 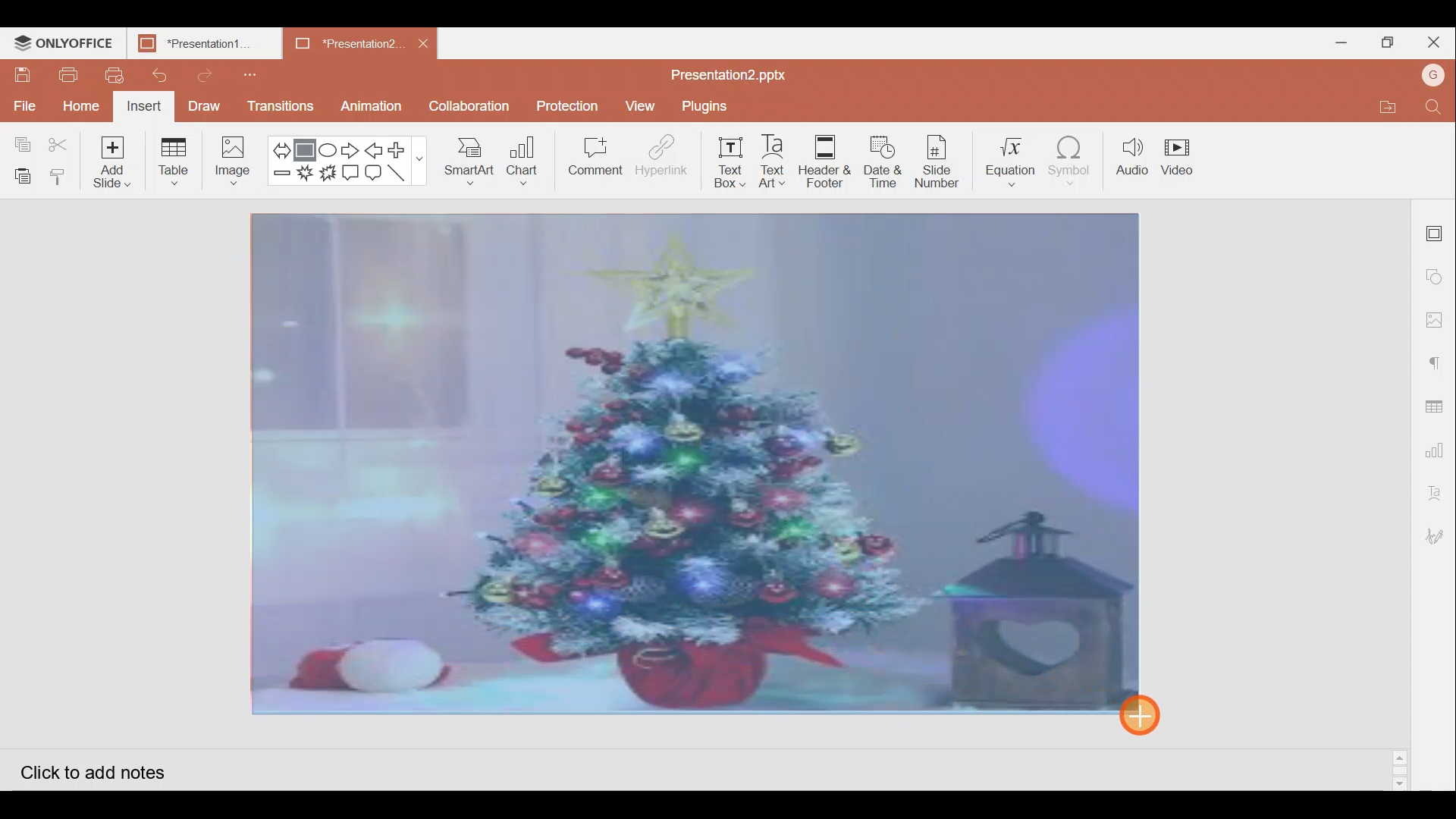 I want to click on Comment, so click(x=592, y=157).